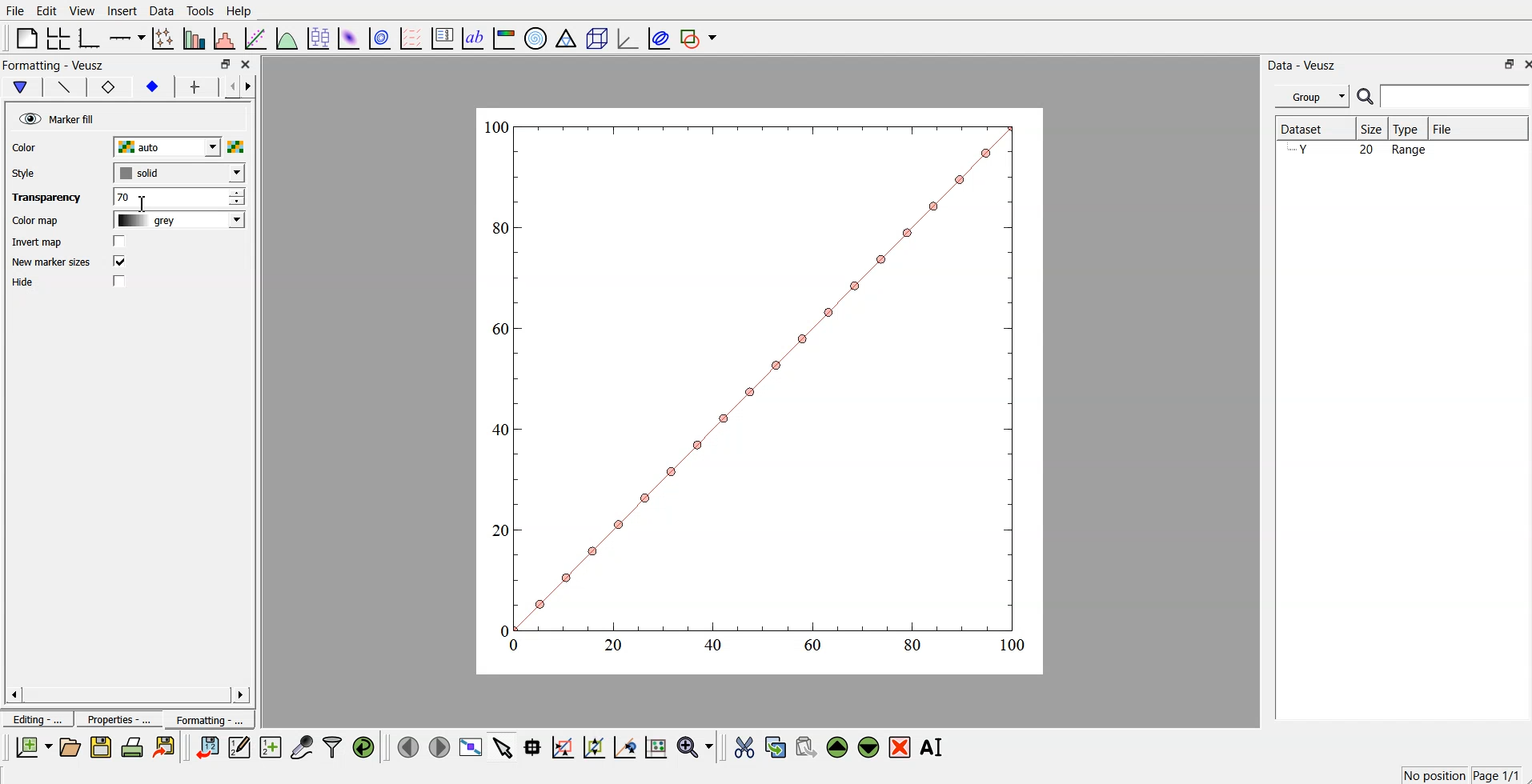 Image resolution: width=1532 pixels, height=784 pixels. I want to click on blank page, so click(26, 38).